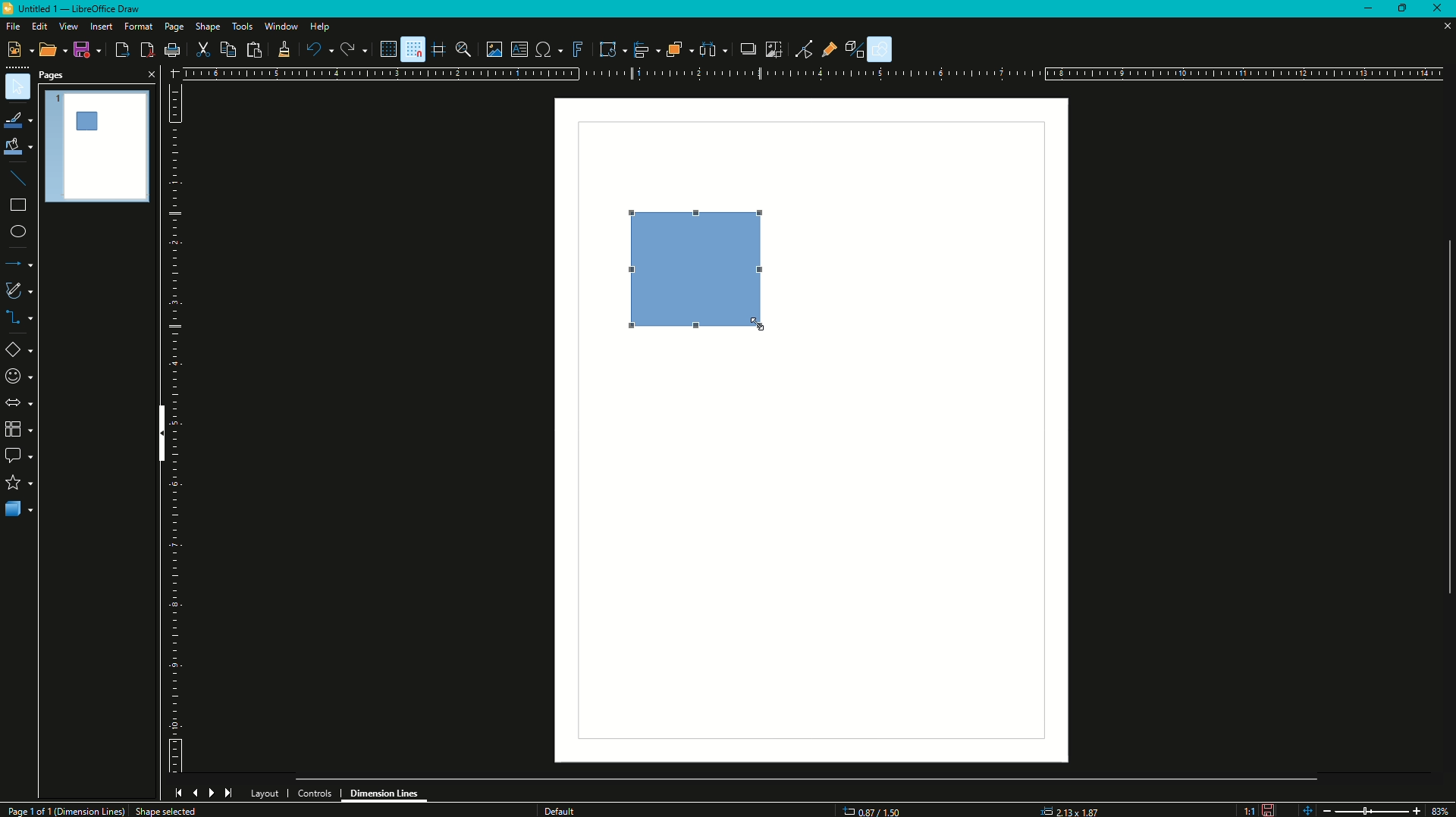  Describe the element at coordinates (744, 49) in the screenshot. I see `Shadow` at that location.